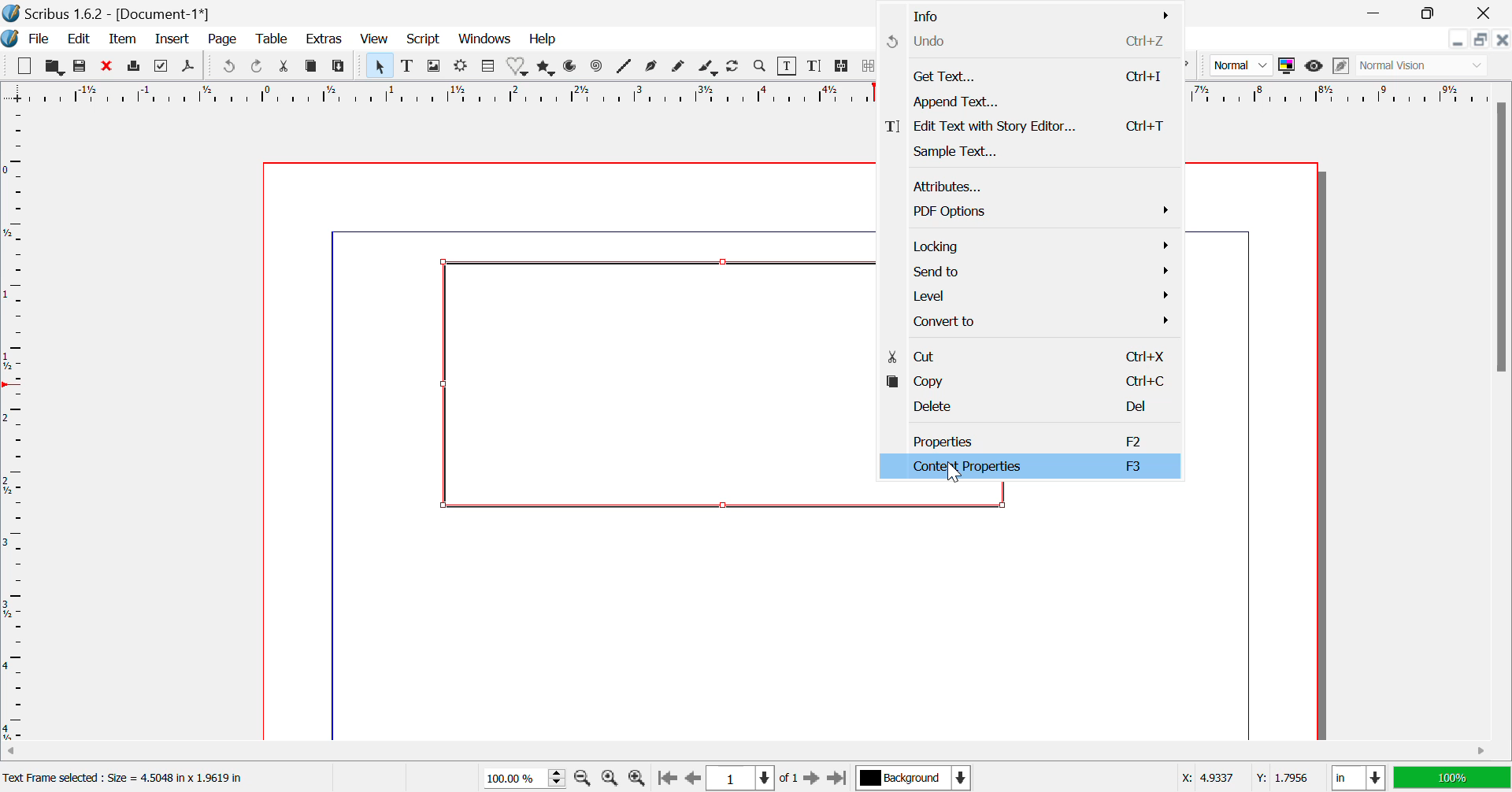 The image size is (1512, 792). Describe the element at coordinates (1280, 777) in the screenshot. I see `Y: 1.7956` at that location.